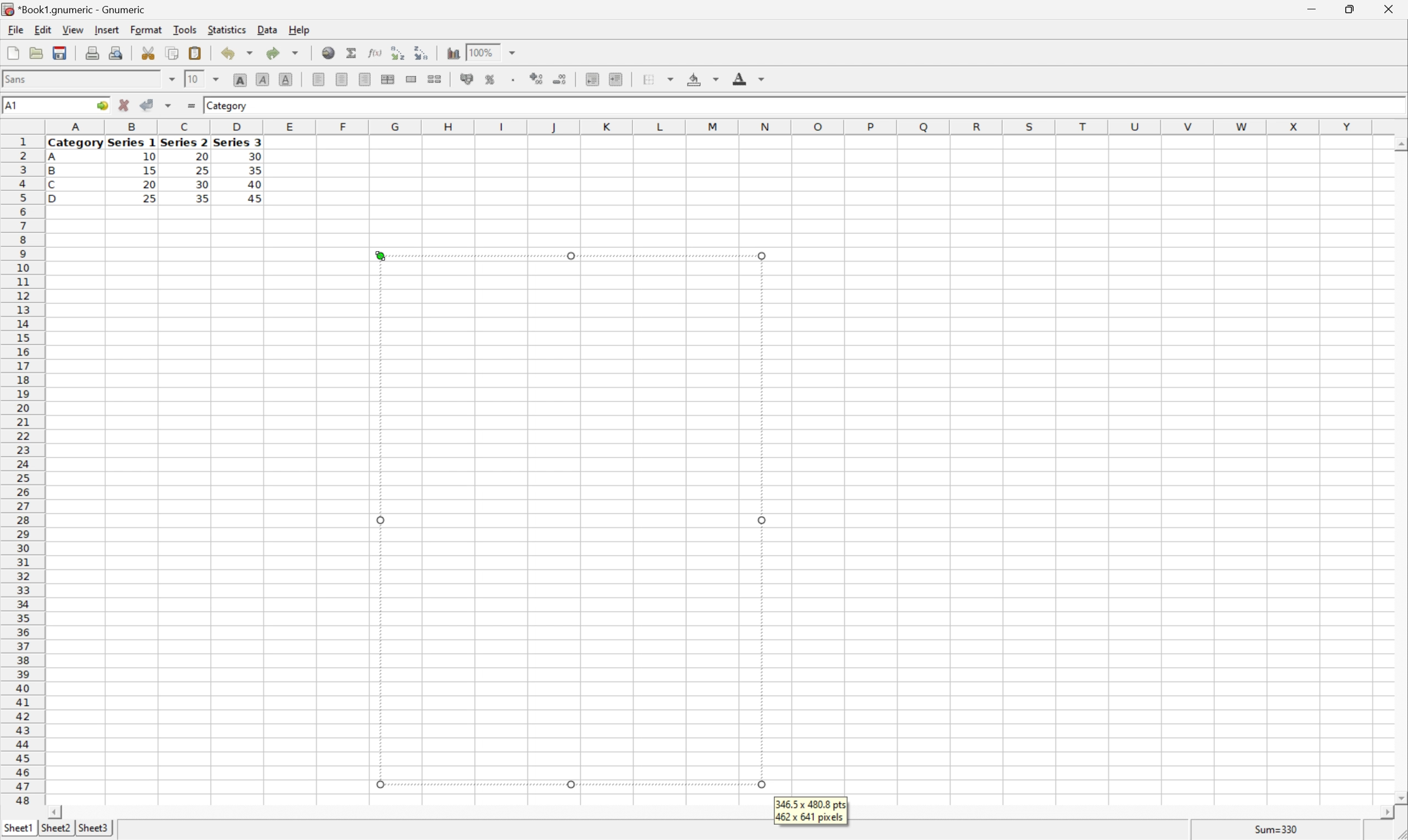 This screenshot has width=1408, height=840. Describe the element at coordinates (95, 828) in the screenshot. I see `Sheet3` at that location.